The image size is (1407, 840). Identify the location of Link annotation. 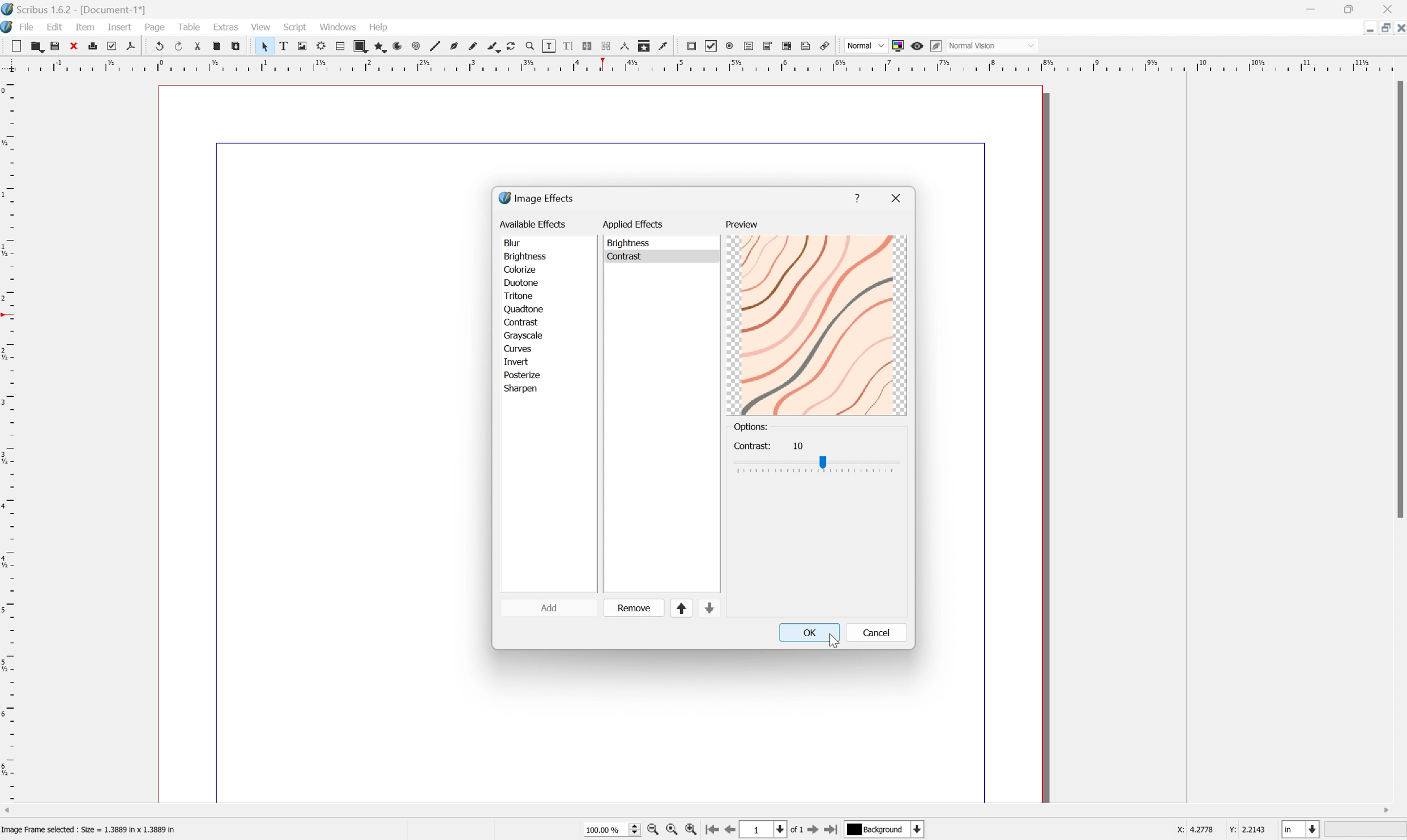
(827, 44).